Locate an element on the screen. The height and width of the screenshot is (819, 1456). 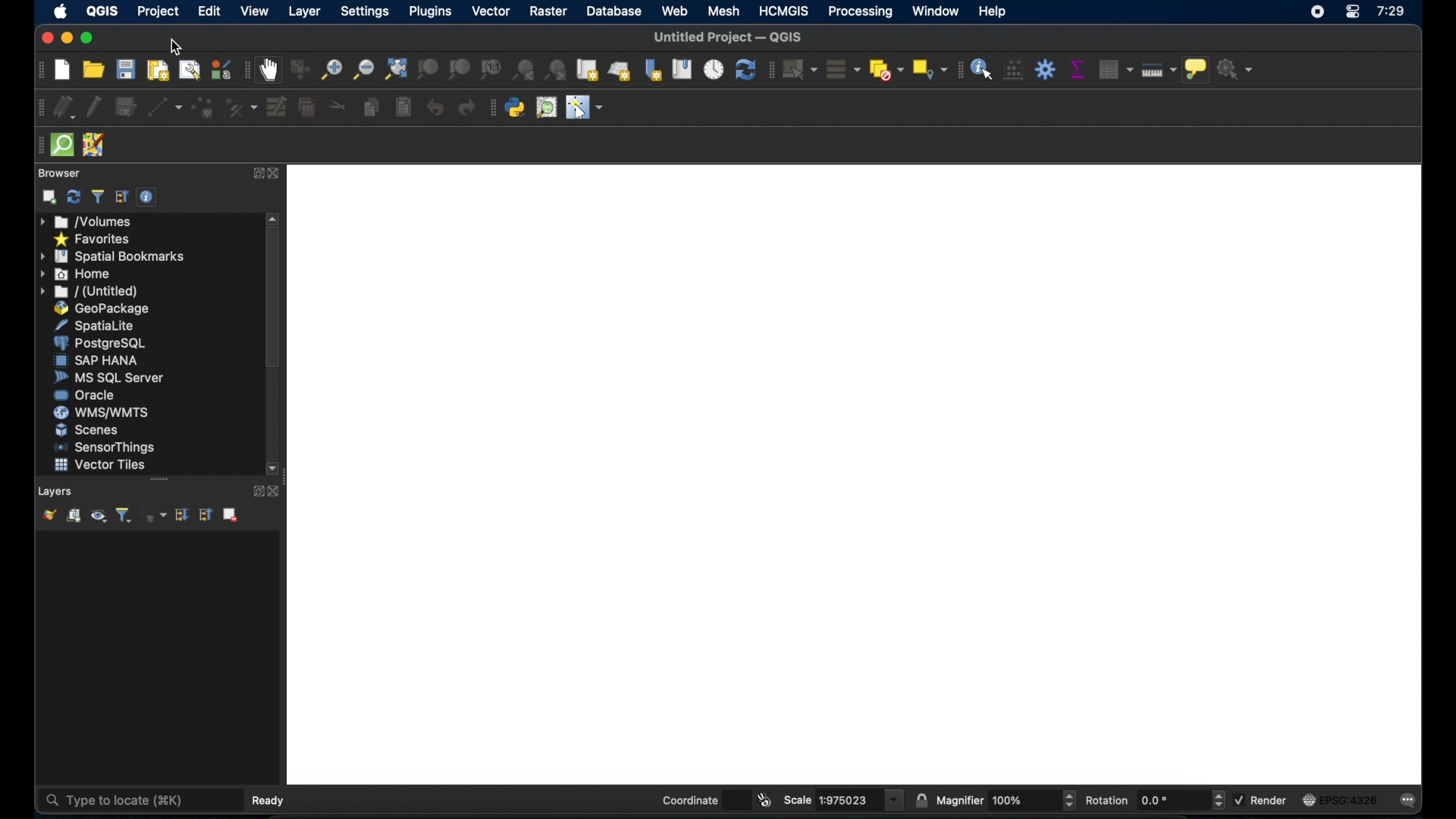
drag handle is located at coordinates (38, 146).